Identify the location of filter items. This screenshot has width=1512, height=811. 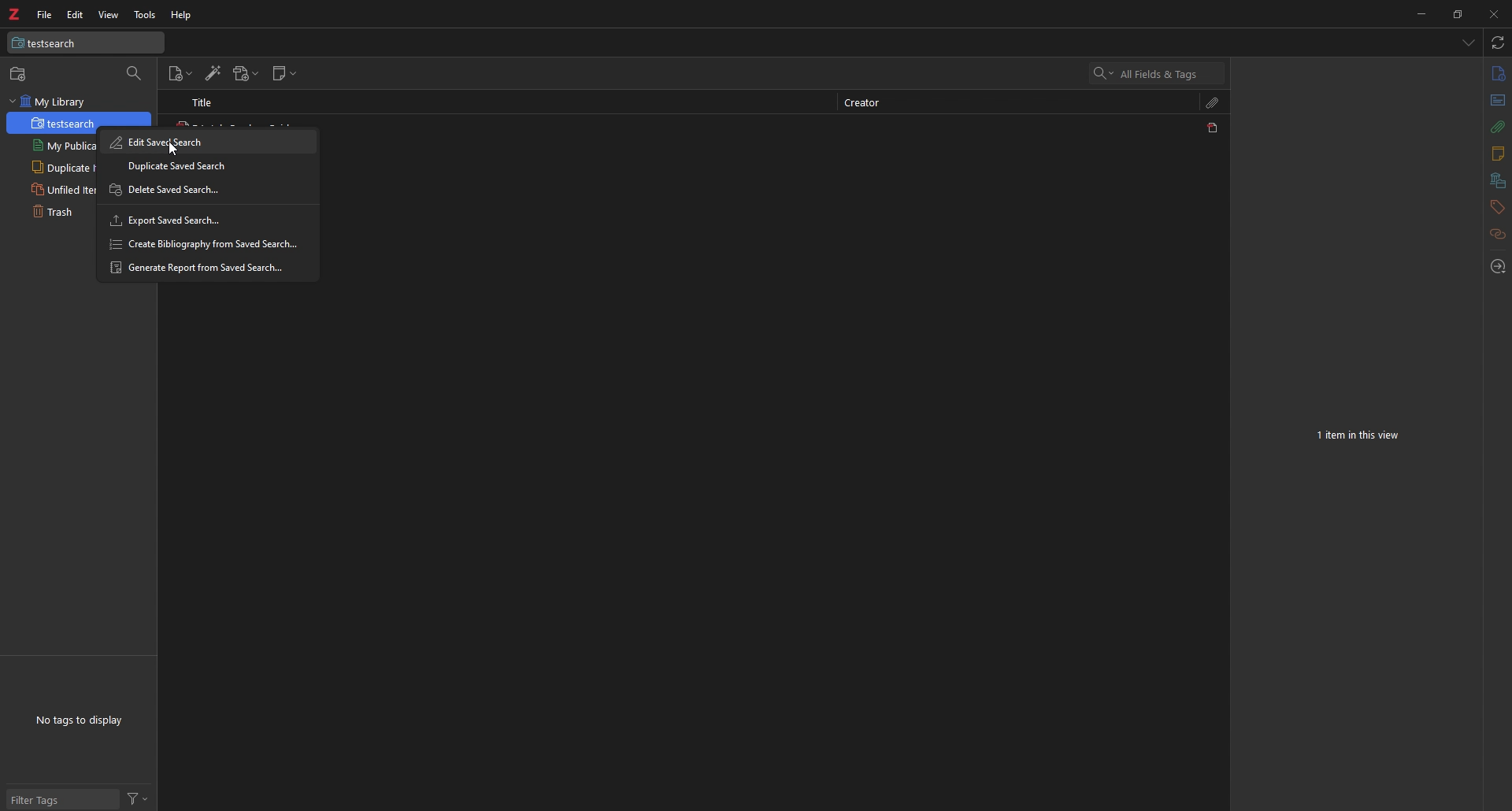
(135, 74).